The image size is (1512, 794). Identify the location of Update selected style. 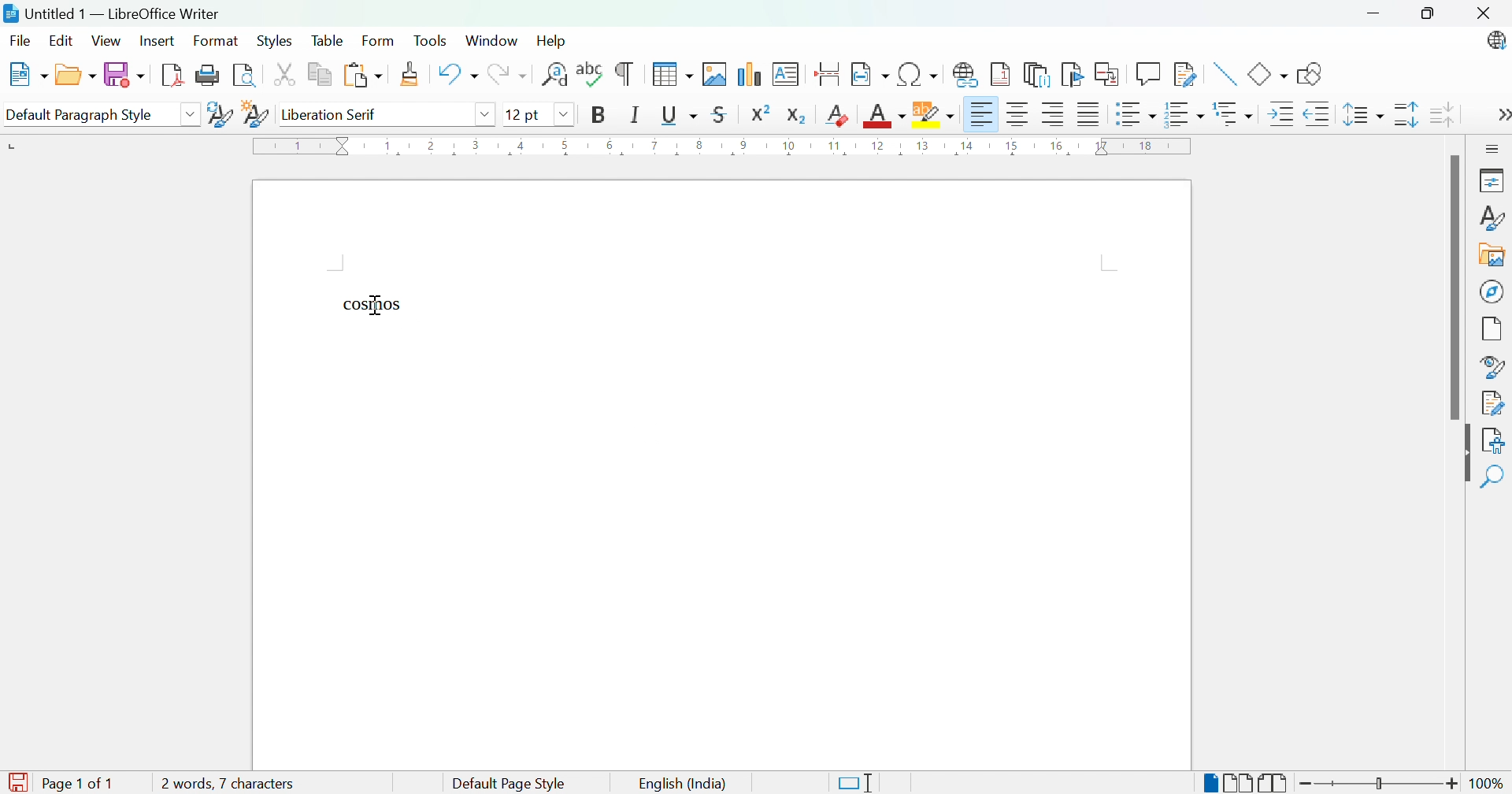
(222, 114).